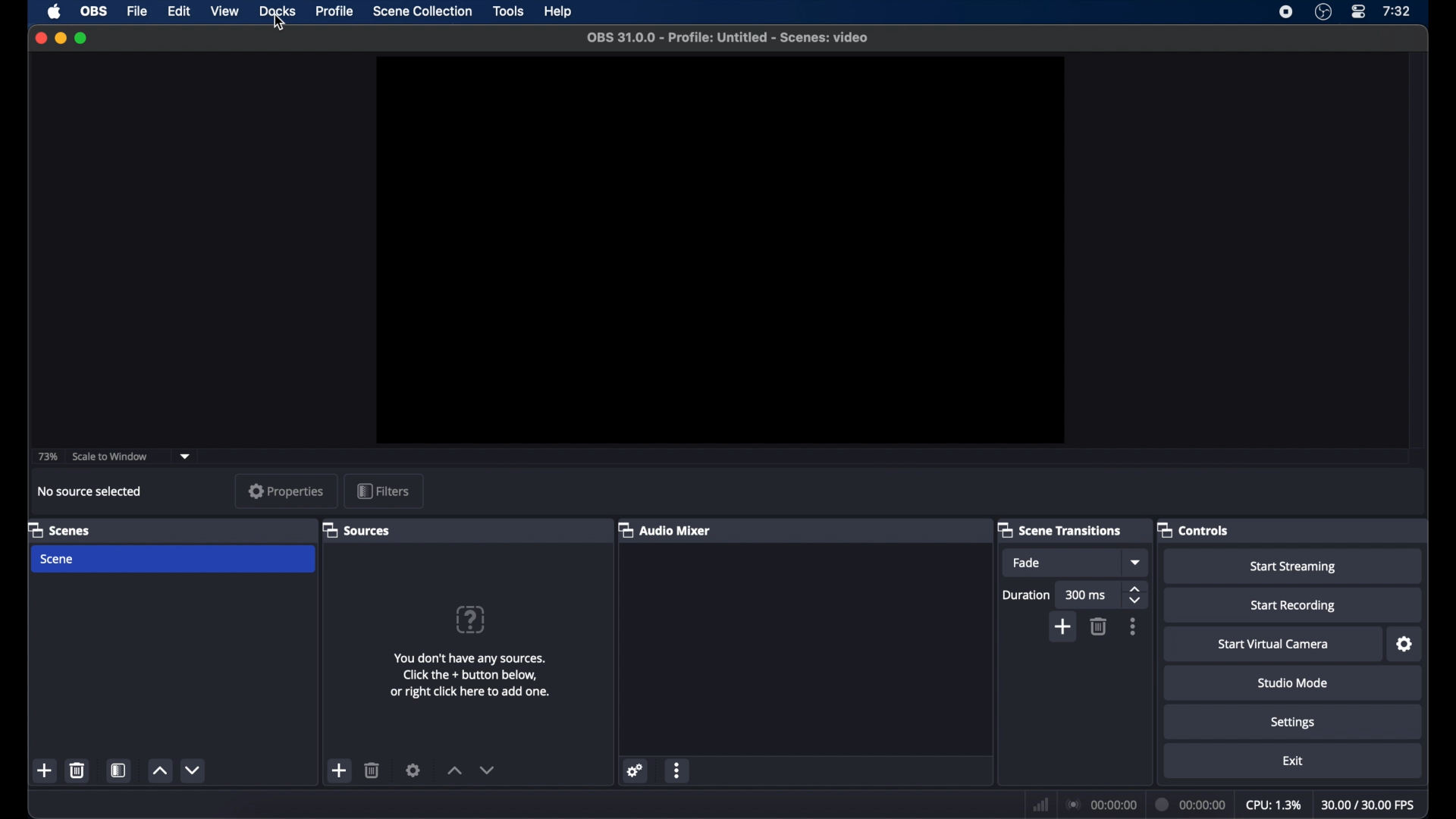 This screenshot has height=819, width=1456. What do you see at coordinates (487, 770) in the screenshot?
I see `decrement` at bounding box center [487, 770].